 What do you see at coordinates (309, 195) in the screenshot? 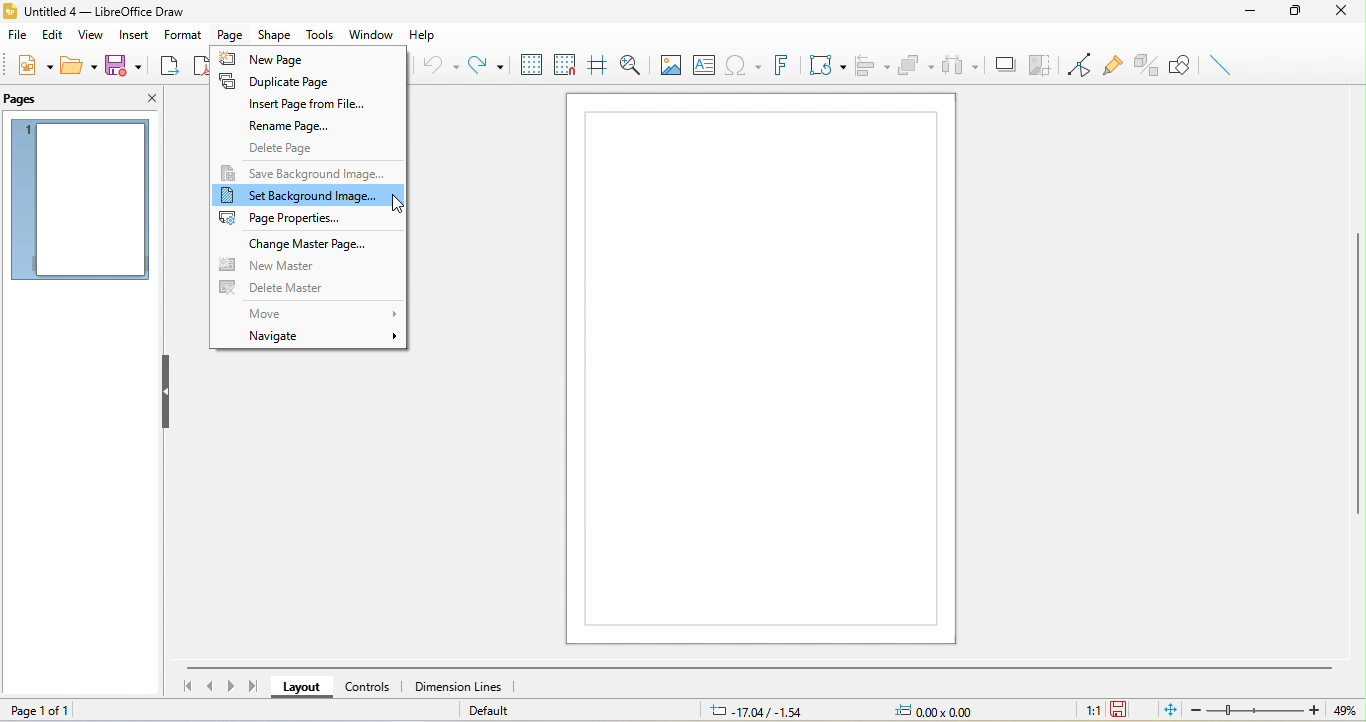
I see `set background image` at bounding box center [309, 195].